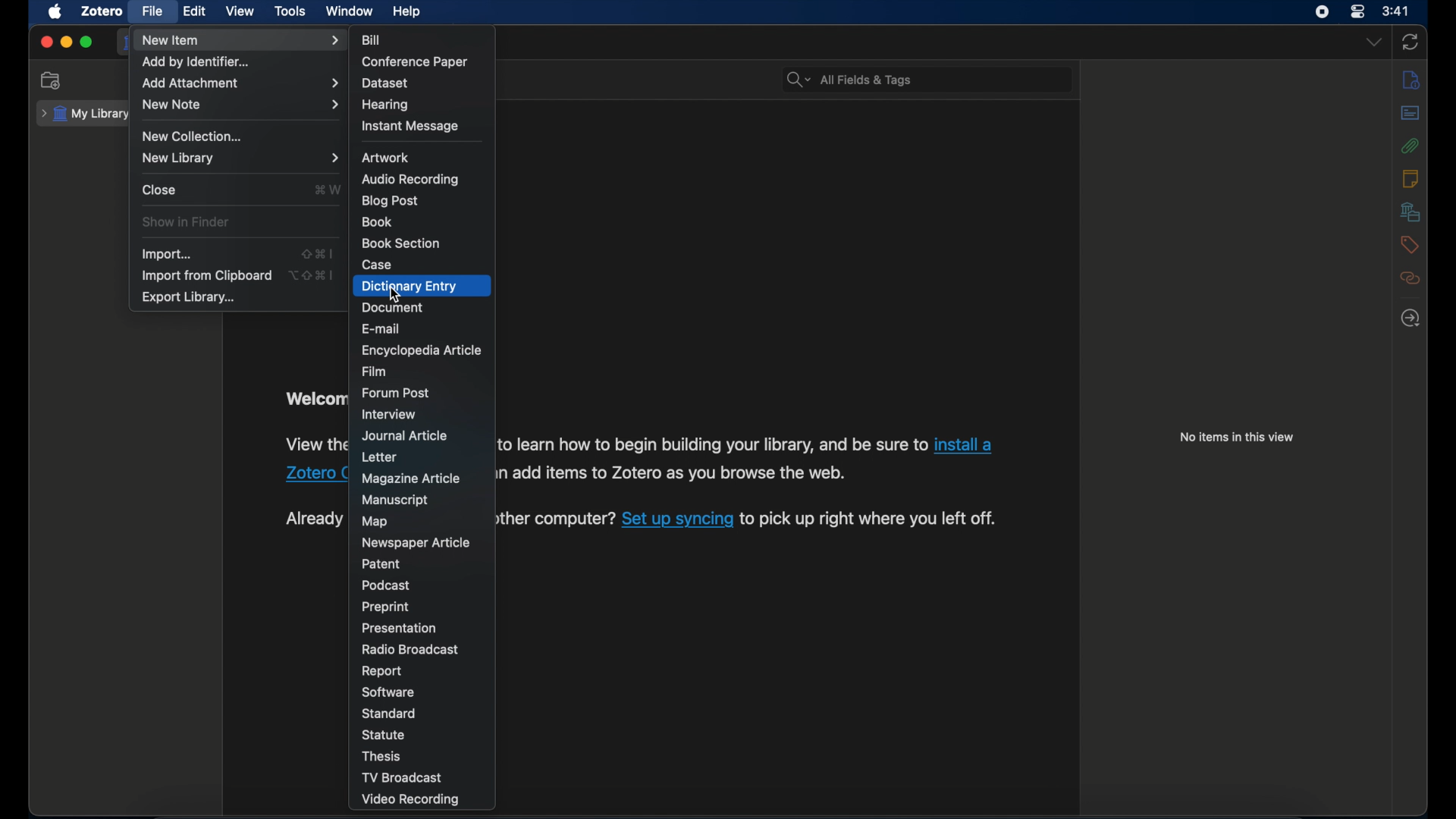 This screenshot has width=1456, height=819. Describe the element at coordinates (196, 62) in the screenshot. I see `add by identifier` at that location.